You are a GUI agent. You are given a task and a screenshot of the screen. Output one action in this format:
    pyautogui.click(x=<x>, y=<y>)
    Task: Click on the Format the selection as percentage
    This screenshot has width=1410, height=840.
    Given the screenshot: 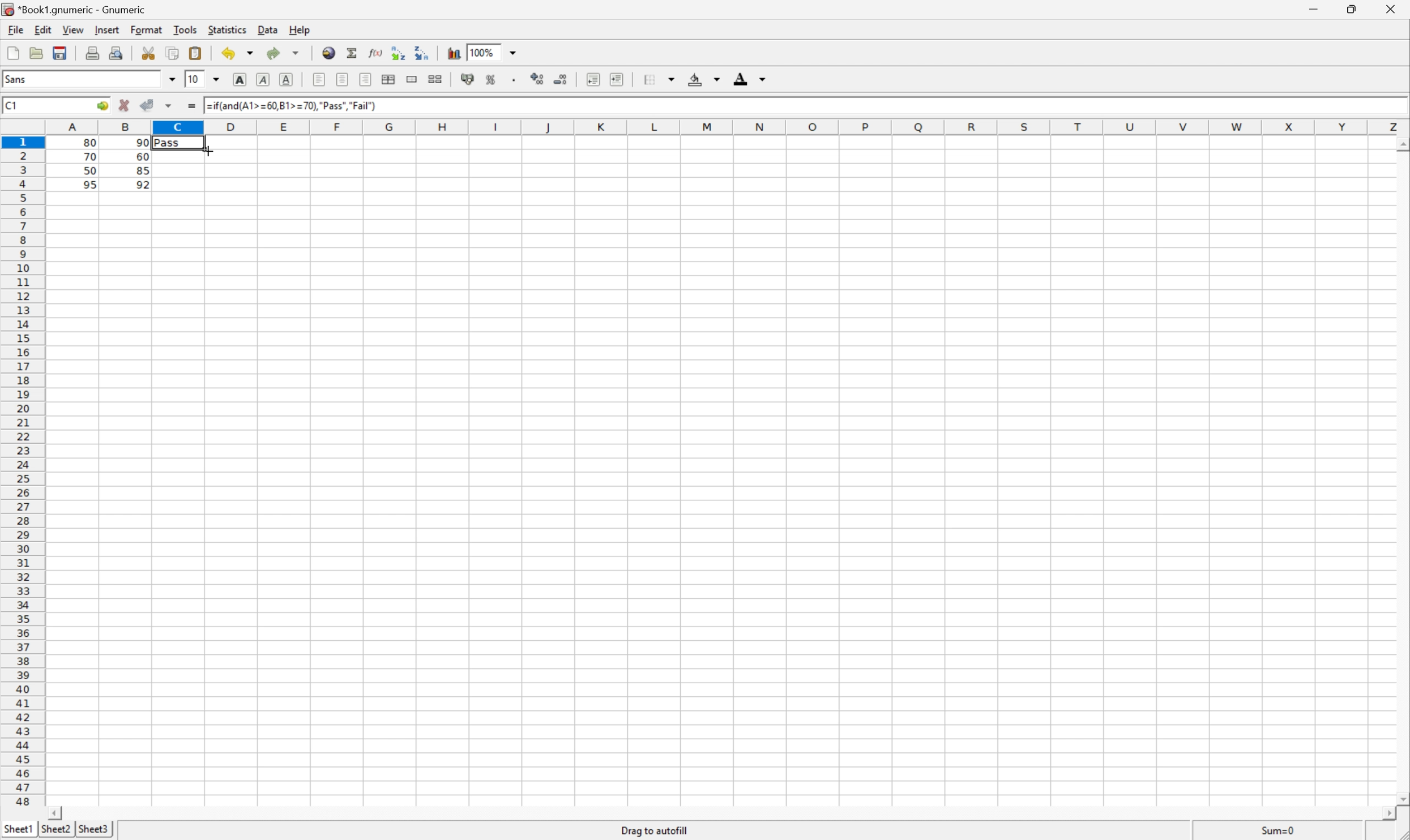 What is the action you would take?
    pyautogui.click(x=493, y=78)
    